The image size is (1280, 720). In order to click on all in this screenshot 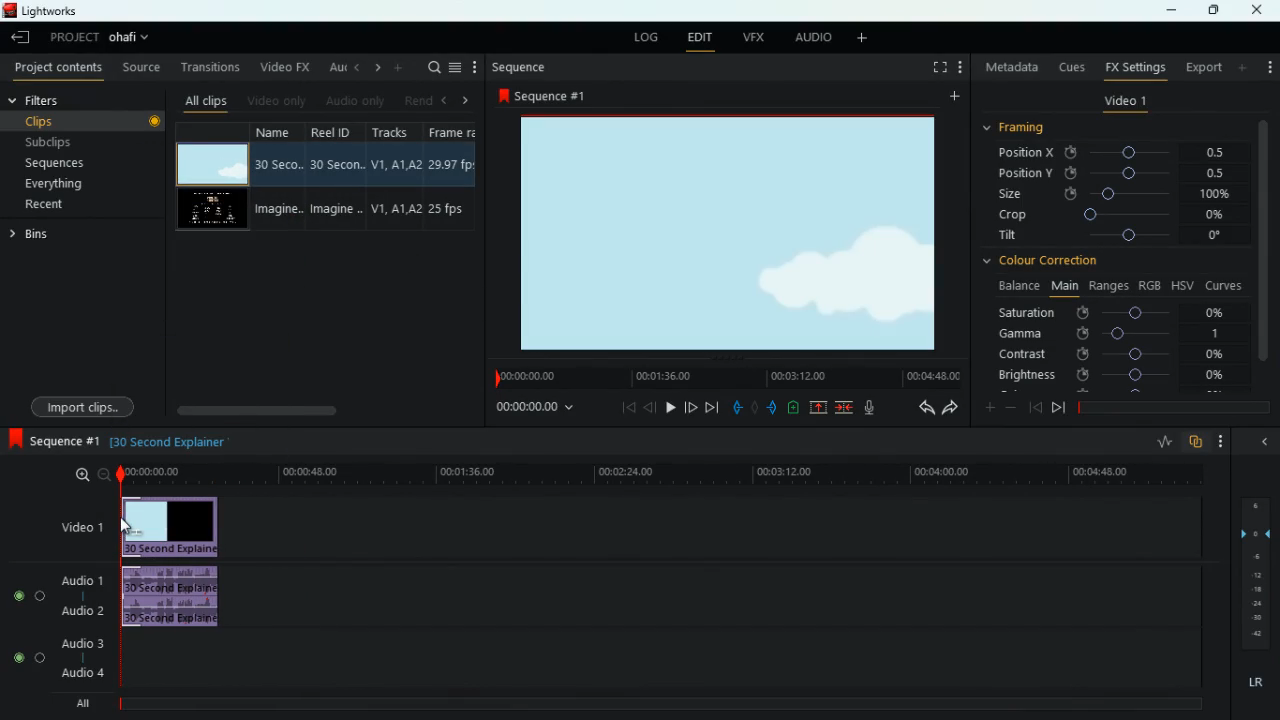, I will do `click(78, 706)`.